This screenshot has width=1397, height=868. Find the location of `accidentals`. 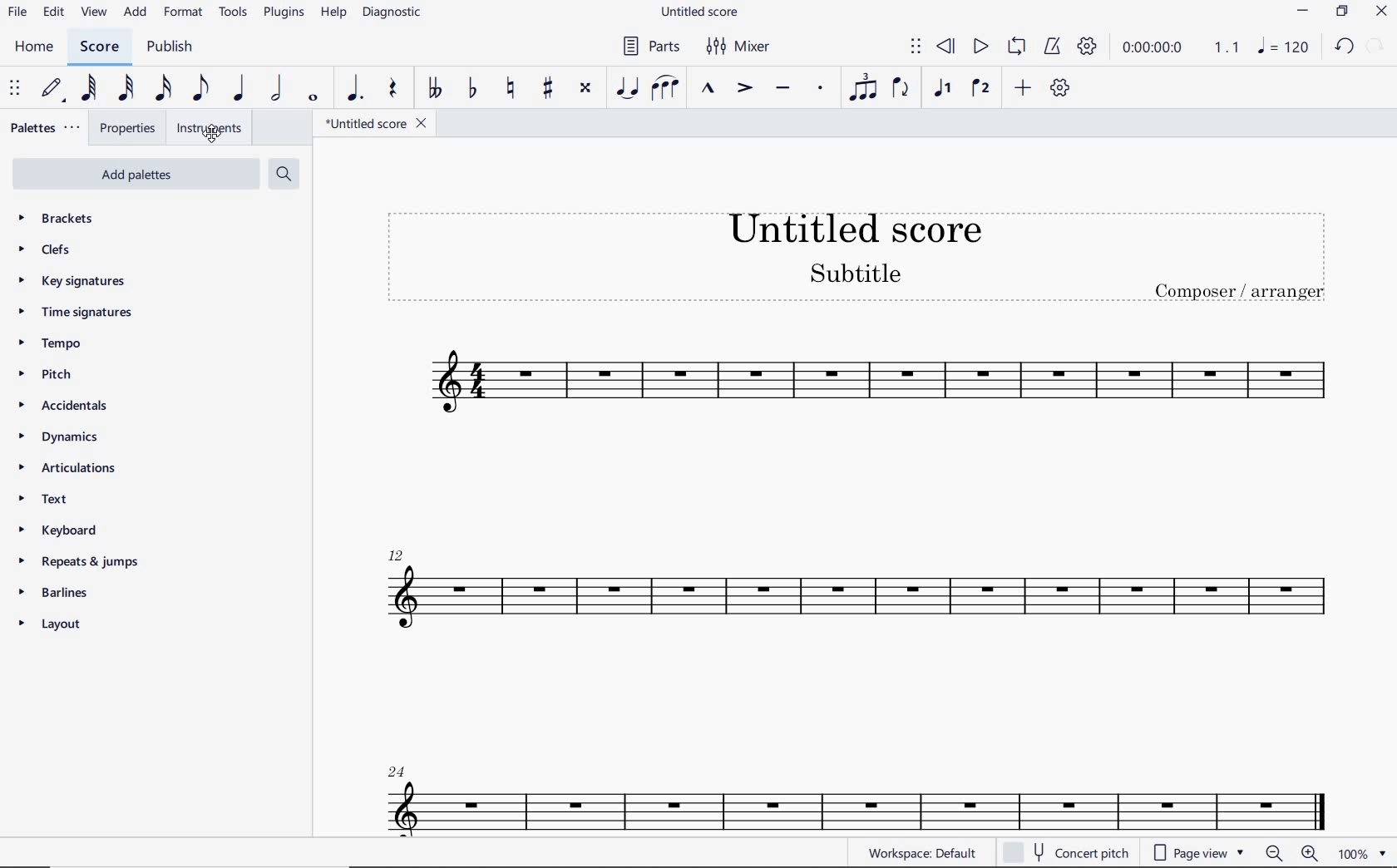

accidentals is located at coordinates (72, 407).